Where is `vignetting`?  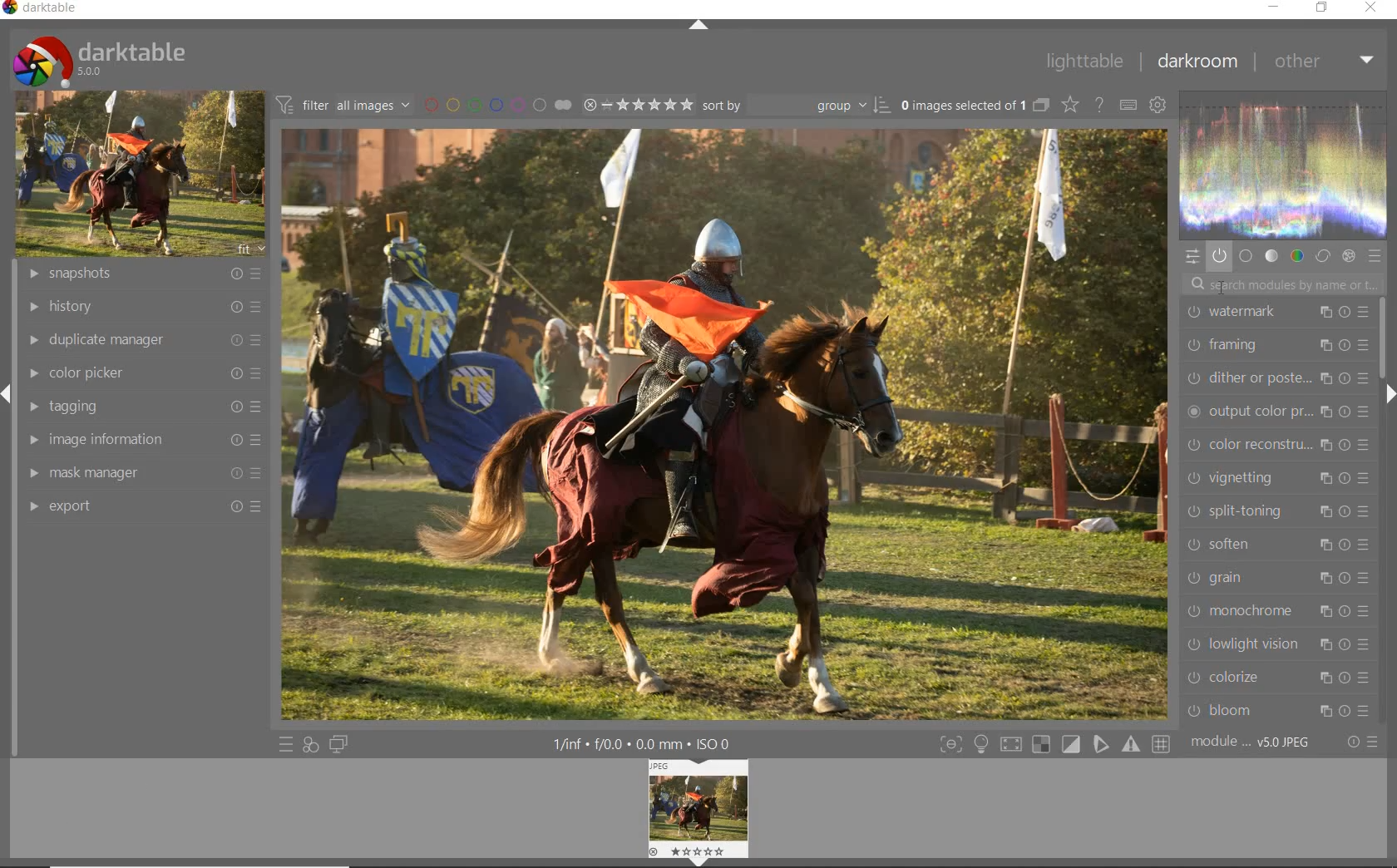
vignetting is located at coordinates (1277, 476).